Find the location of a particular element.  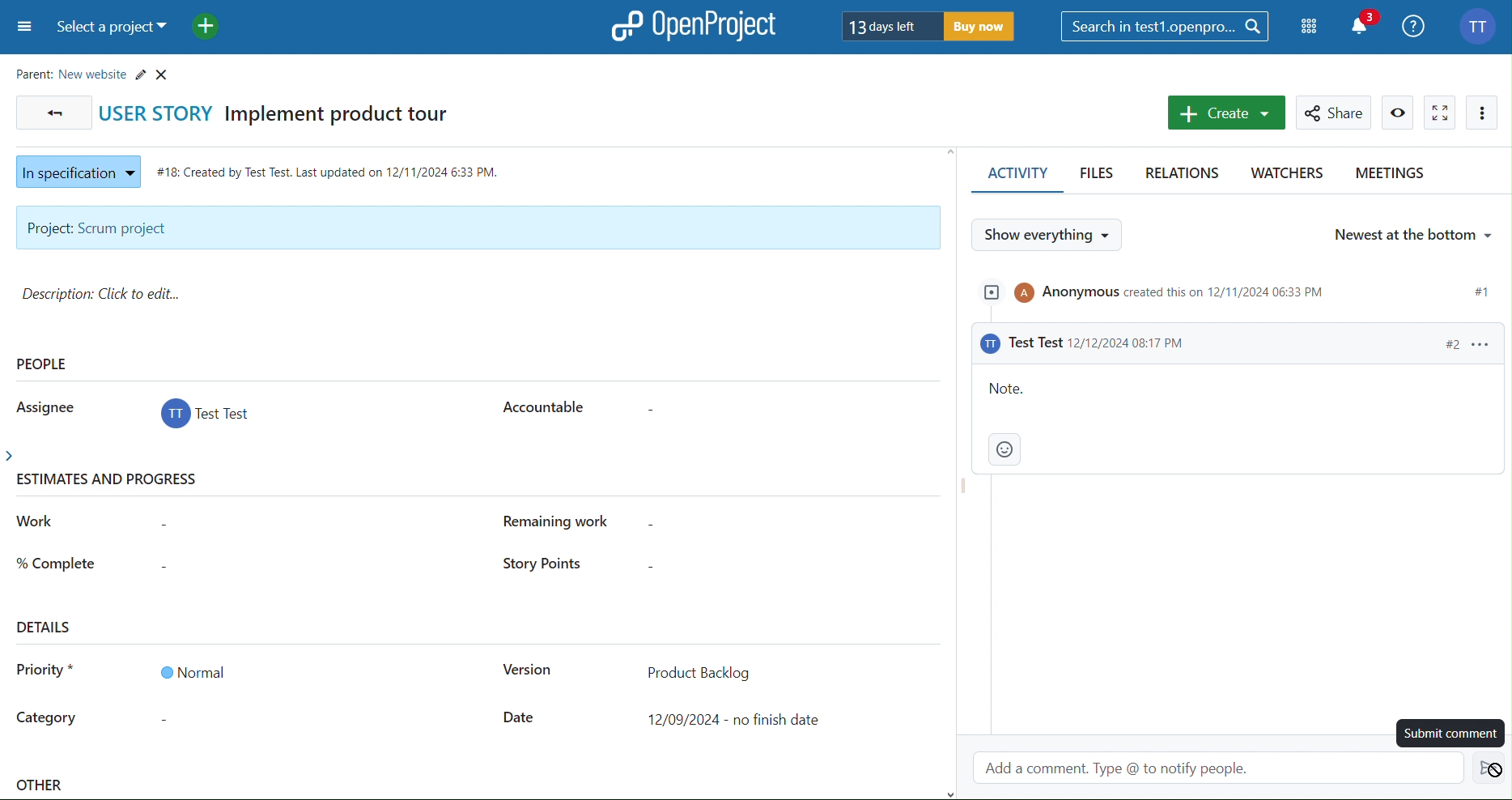

Assignee is located at coordinates (42, 406).